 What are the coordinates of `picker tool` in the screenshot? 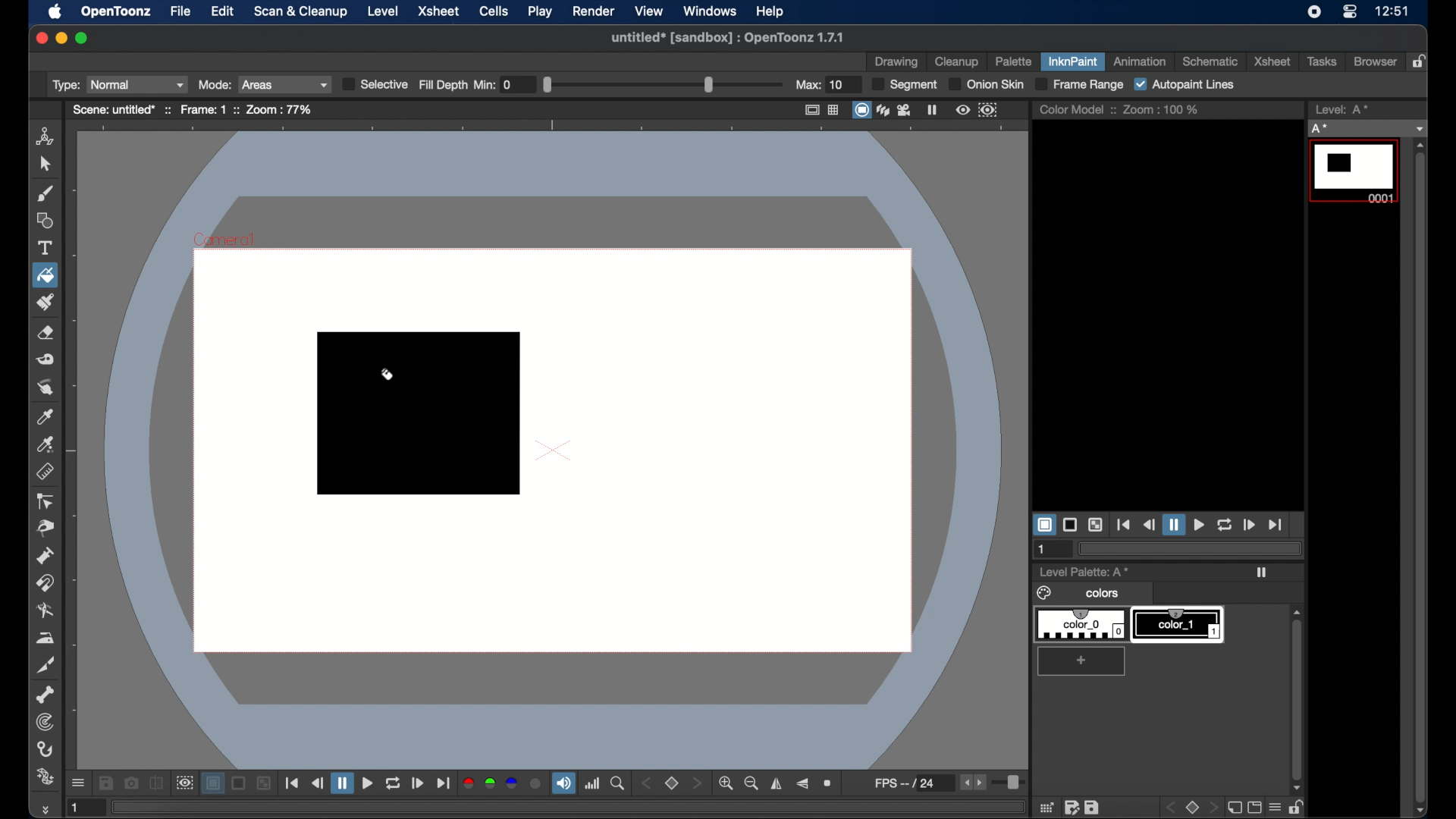 It's located at (45, 416).